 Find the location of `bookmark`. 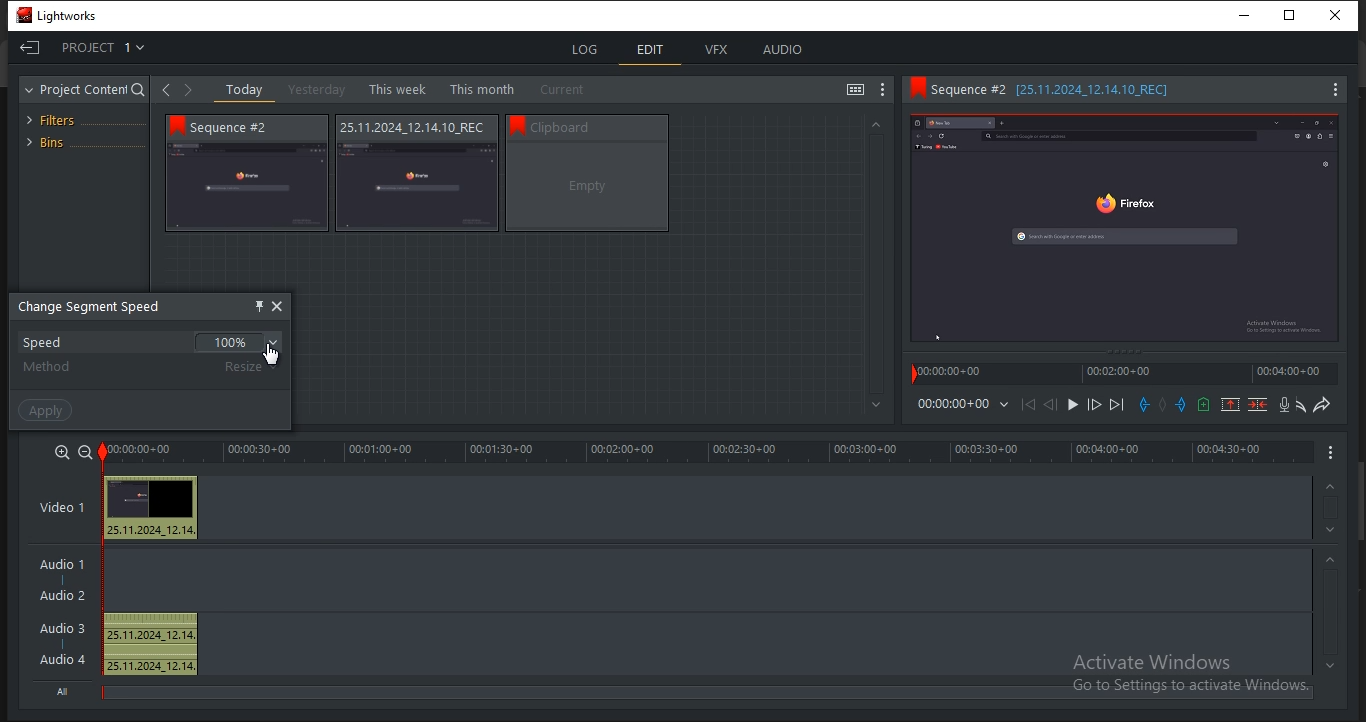

bookmark is located at coordinates (176, 127).